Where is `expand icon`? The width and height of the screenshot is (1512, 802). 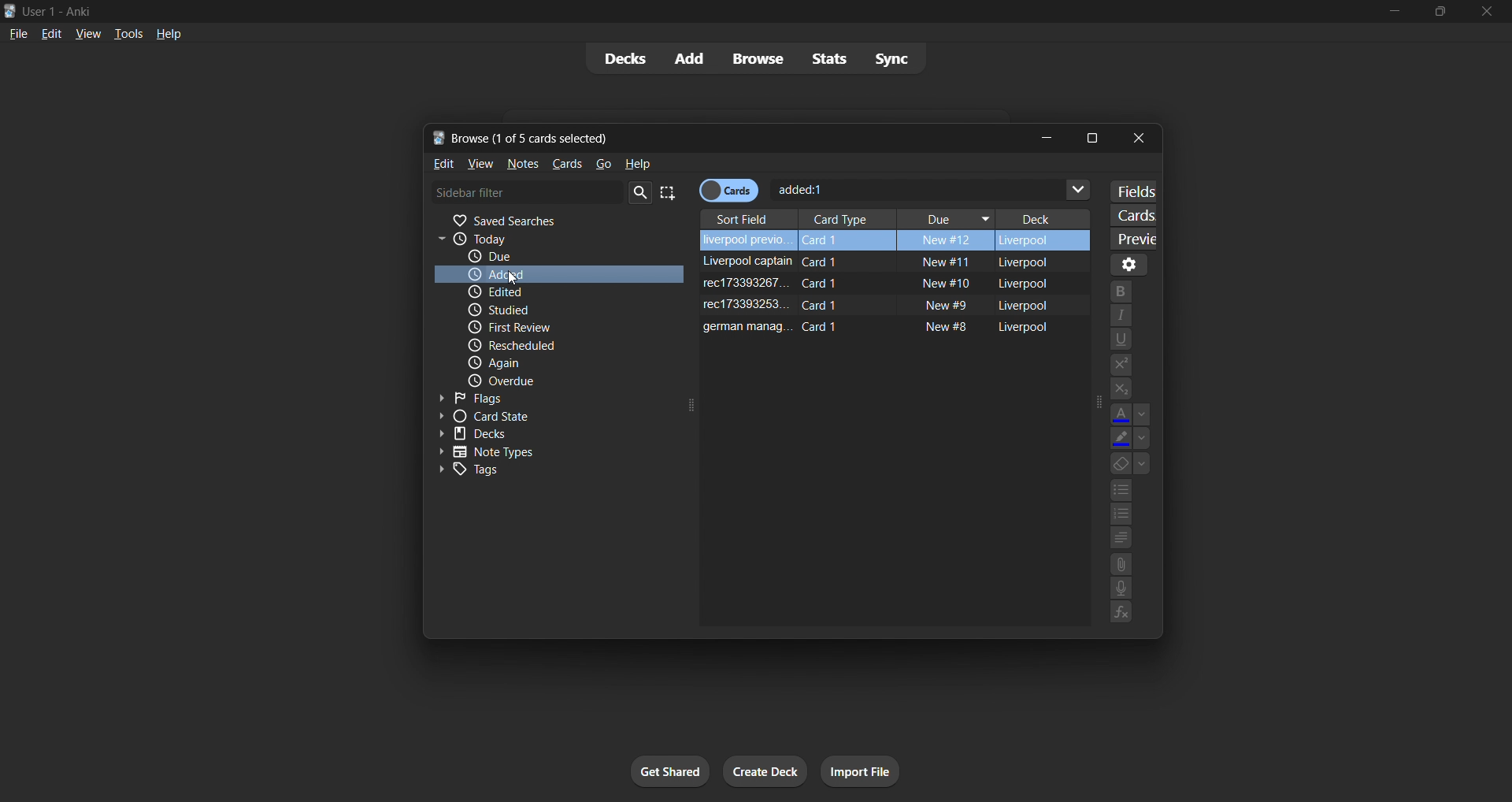 expand icon is located at coordinates (1093, 403).